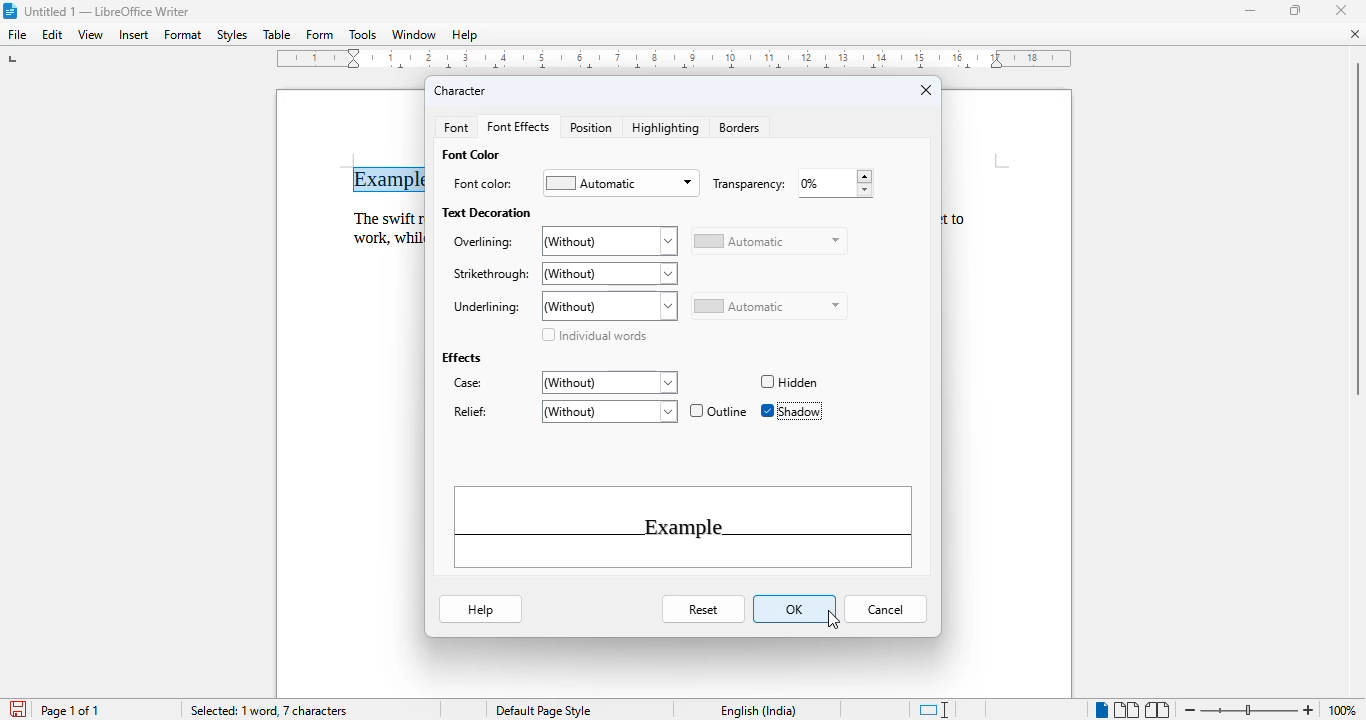  Describe the element at coordinates (1249, 709) in the screenshot. I see `Change zoom level` at that location.